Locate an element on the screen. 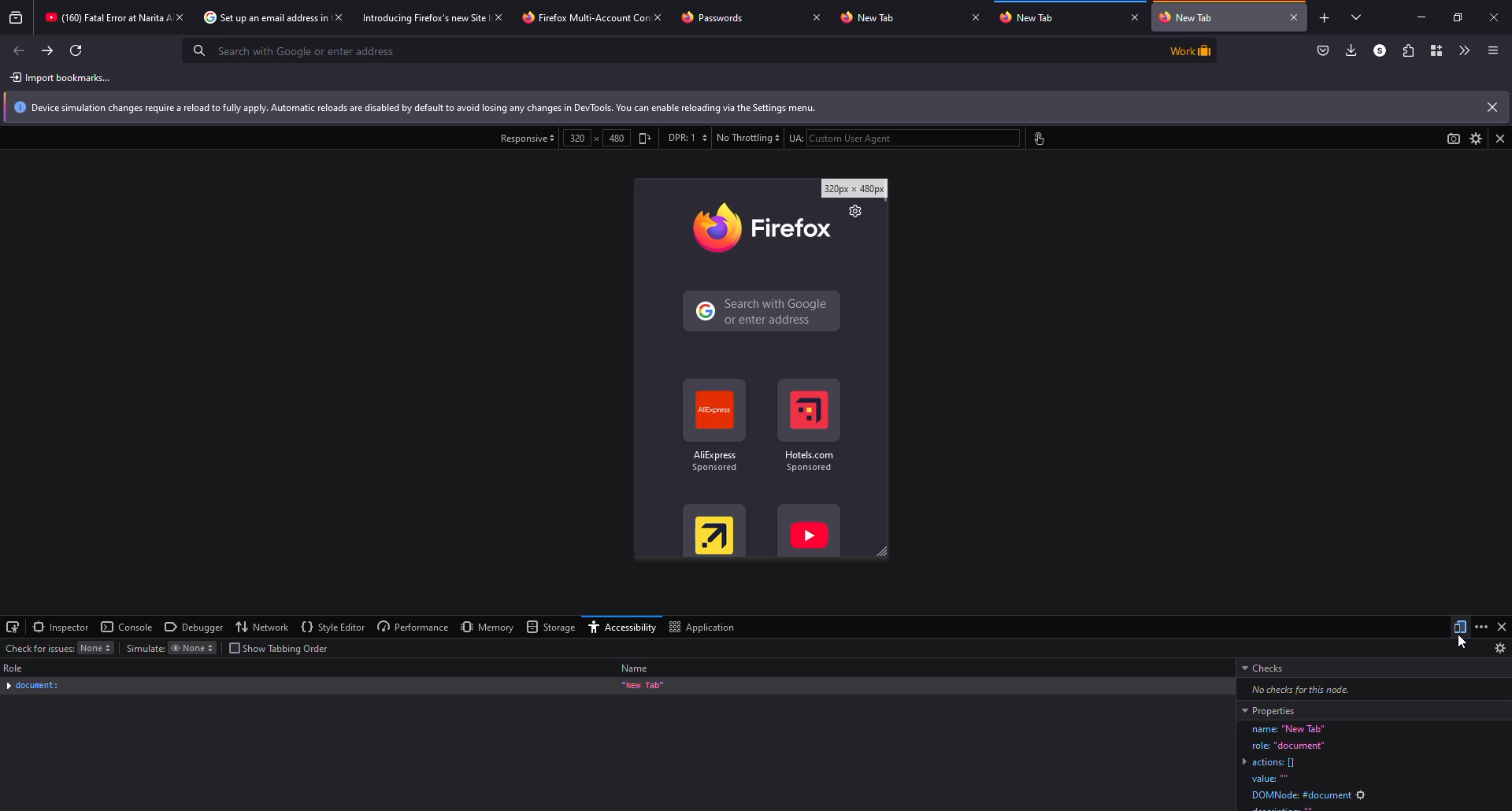  tabs is located at coordinates (1357, 19).